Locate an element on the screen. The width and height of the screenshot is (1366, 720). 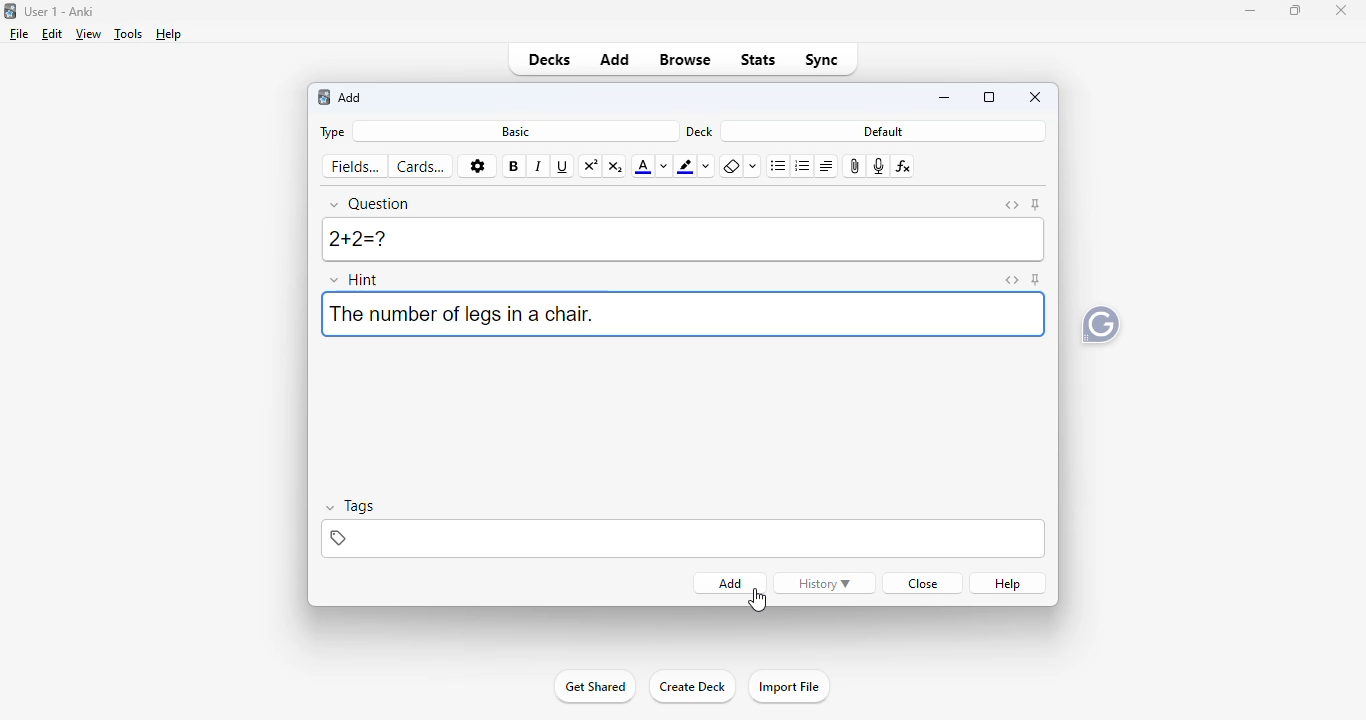
italic is located at coordinates (539, 167).